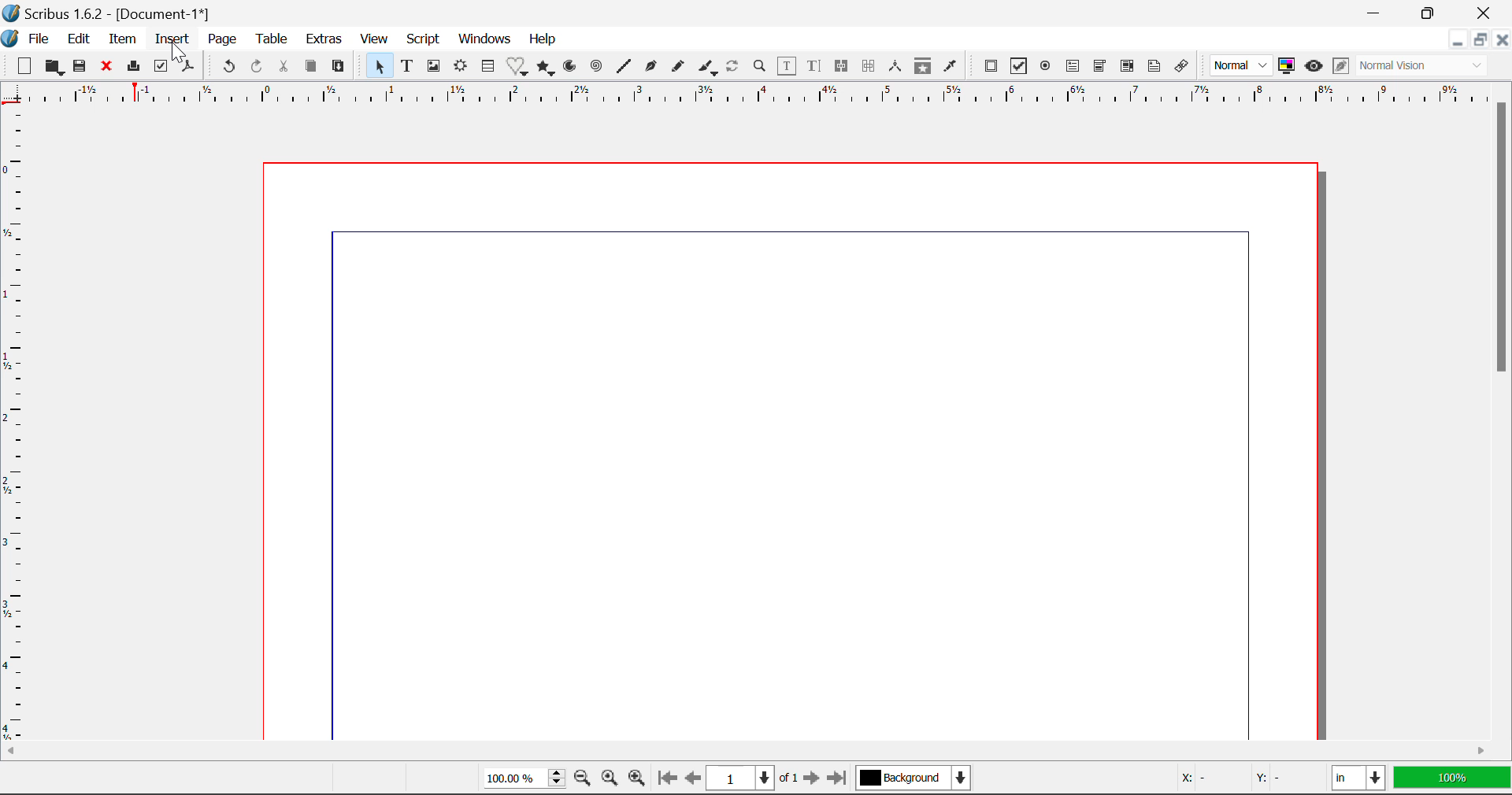  I want to click on Toggle color management system, so click(1287, 67).